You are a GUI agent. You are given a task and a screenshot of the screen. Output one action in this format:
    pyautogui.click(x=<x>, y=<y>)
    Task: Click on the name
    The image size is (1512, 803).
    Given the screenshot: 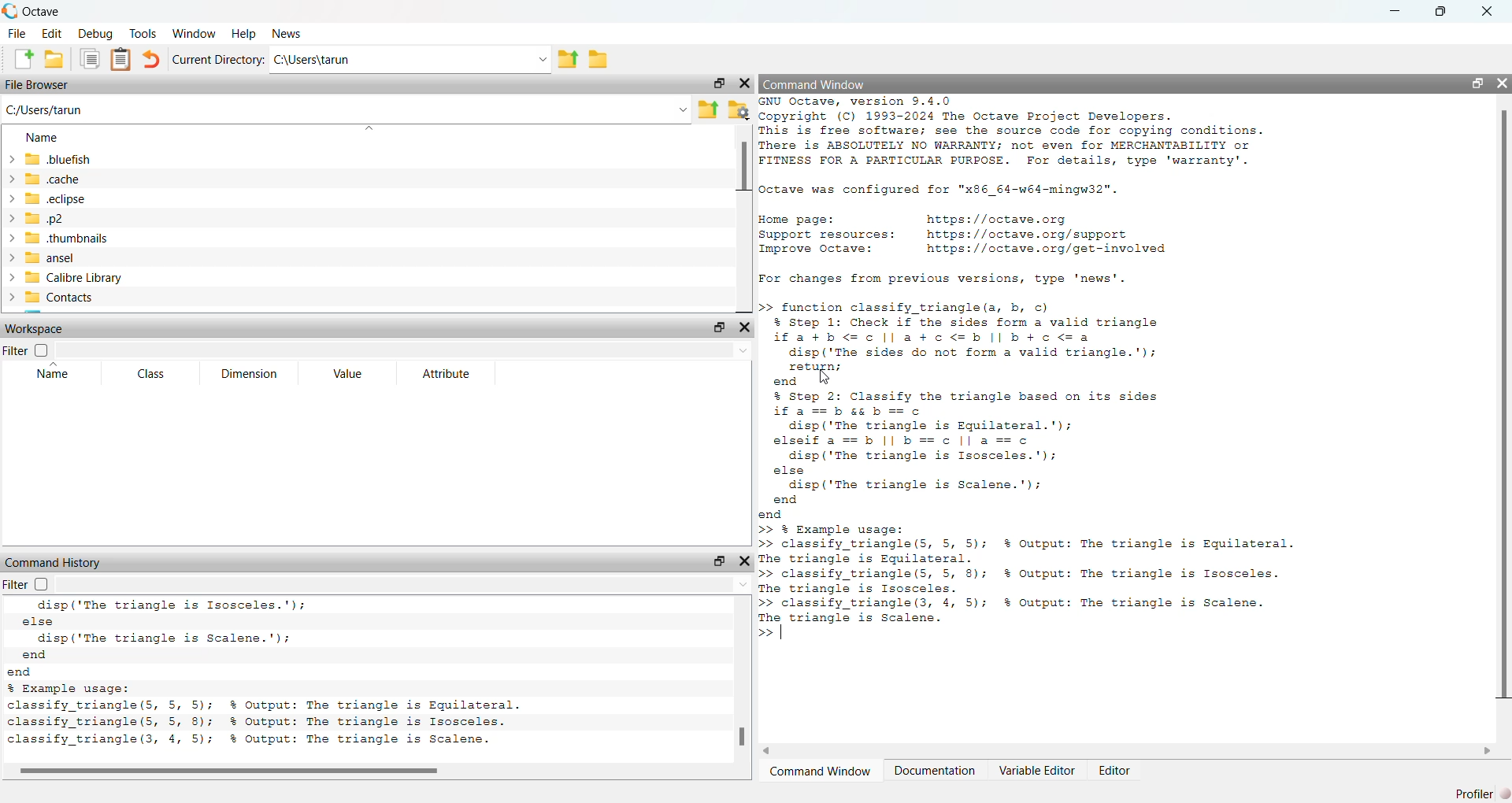 What is the action you would take?
    pyautogui.click(x=57, y=375)
    